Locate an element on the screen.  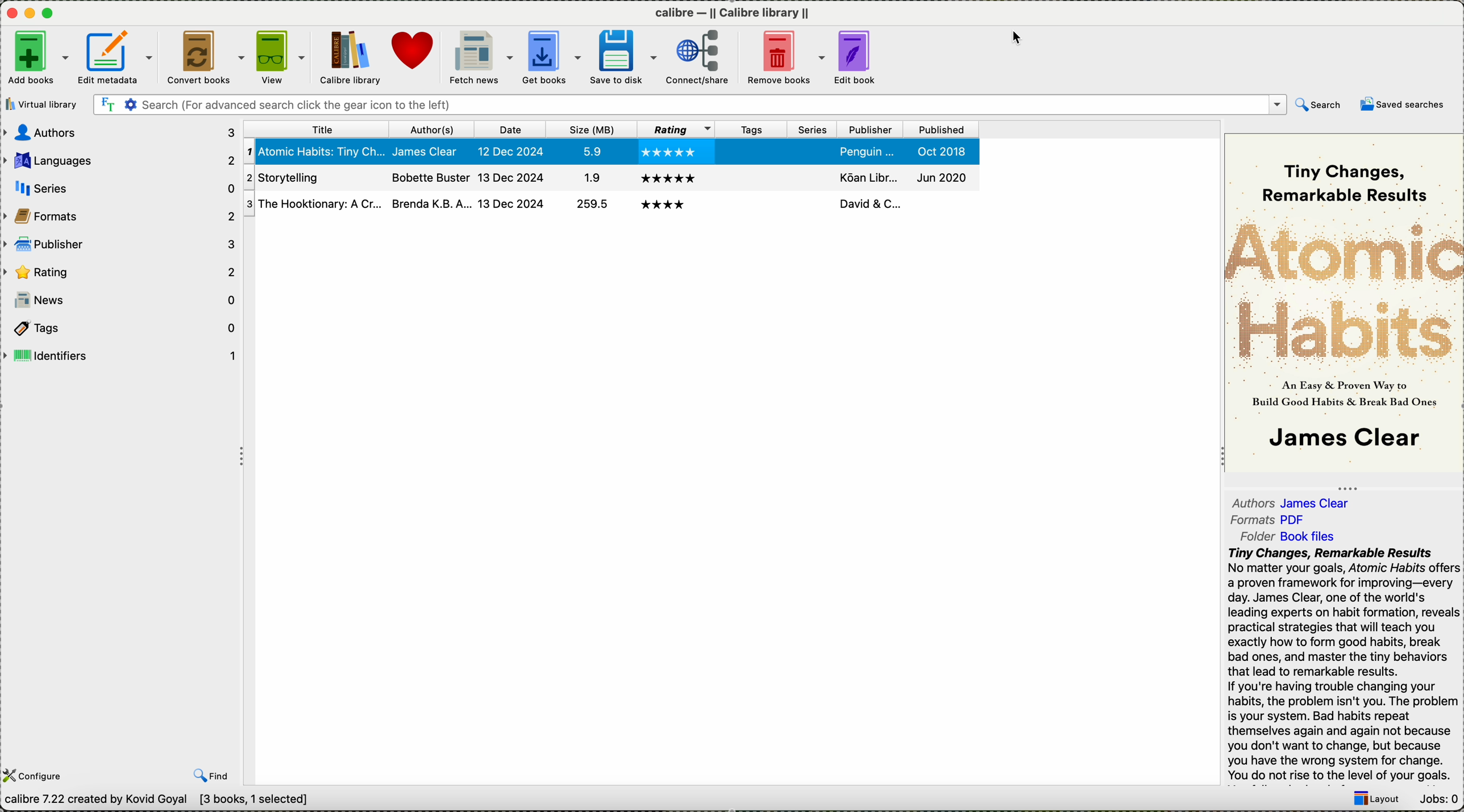
13 dec 2024 is located at coordinates (510, 203).